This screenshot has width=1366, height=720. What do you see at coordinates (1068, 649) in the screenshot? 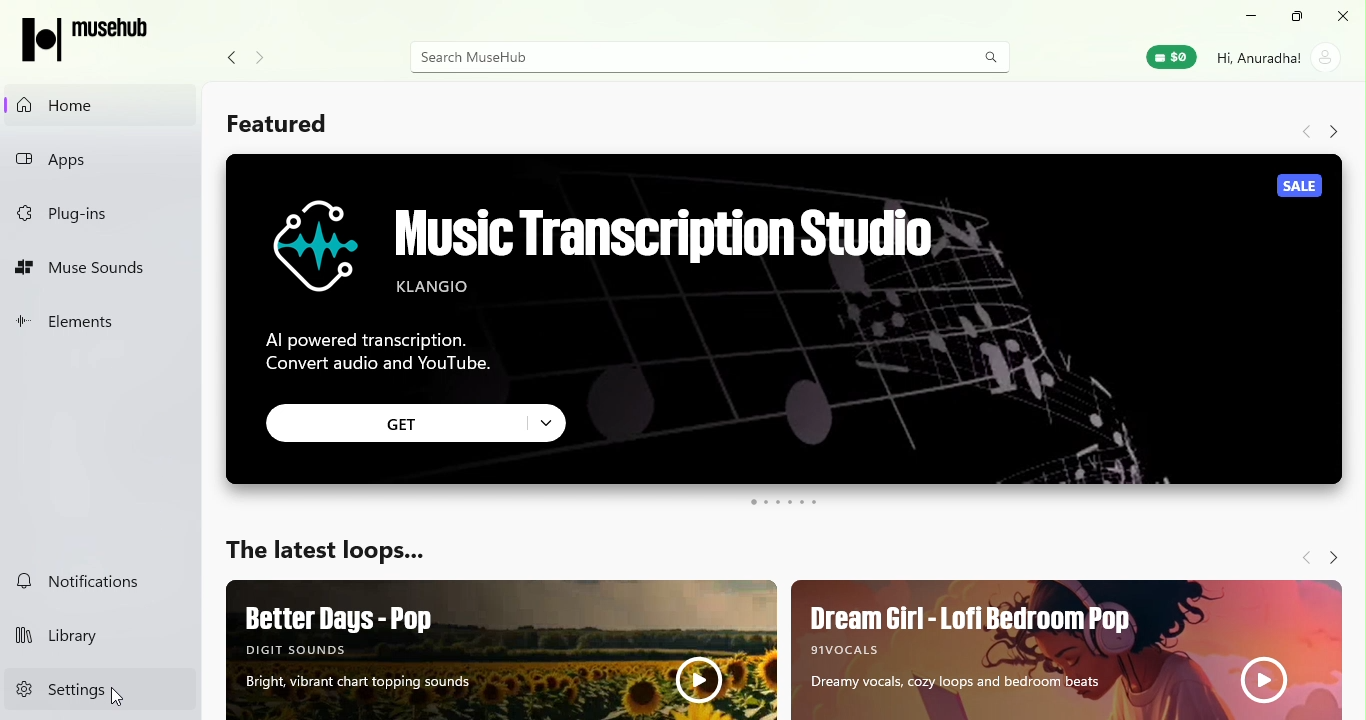
I see `Ad` at bounding box center [1068, 649].